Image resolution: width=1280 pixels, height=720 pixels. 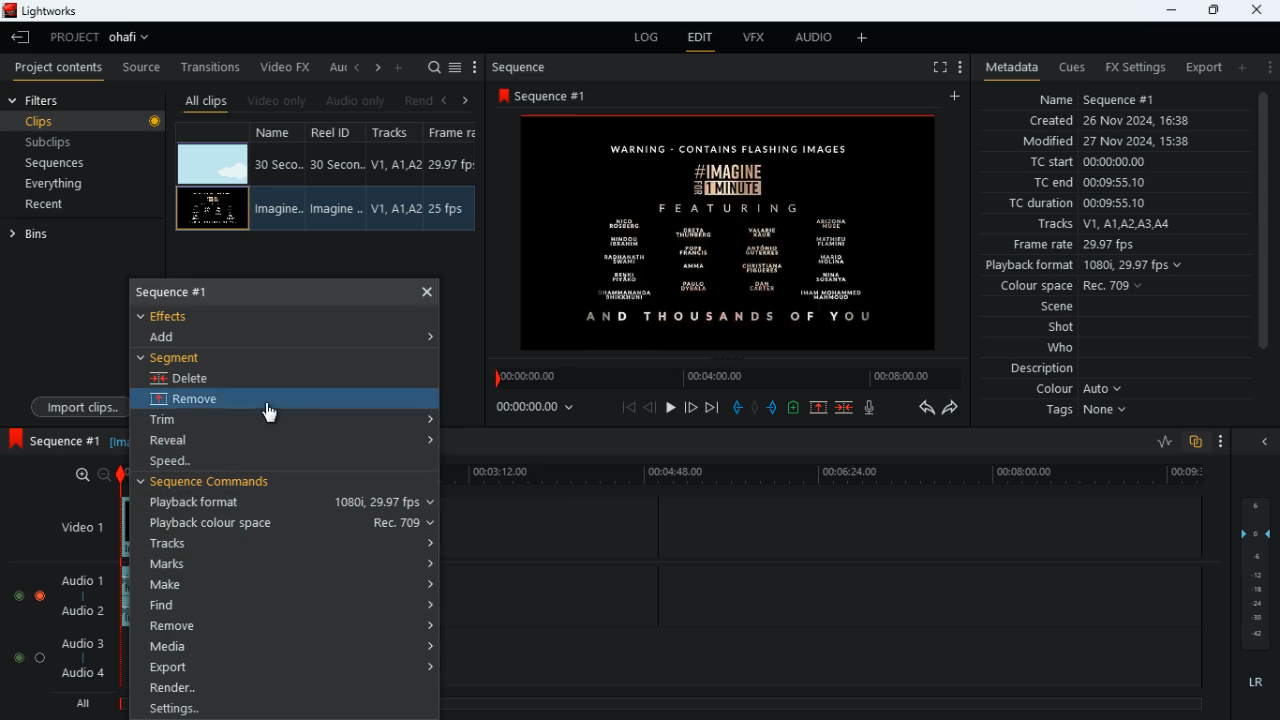 I want to click on all, so click(x=77, y=702).